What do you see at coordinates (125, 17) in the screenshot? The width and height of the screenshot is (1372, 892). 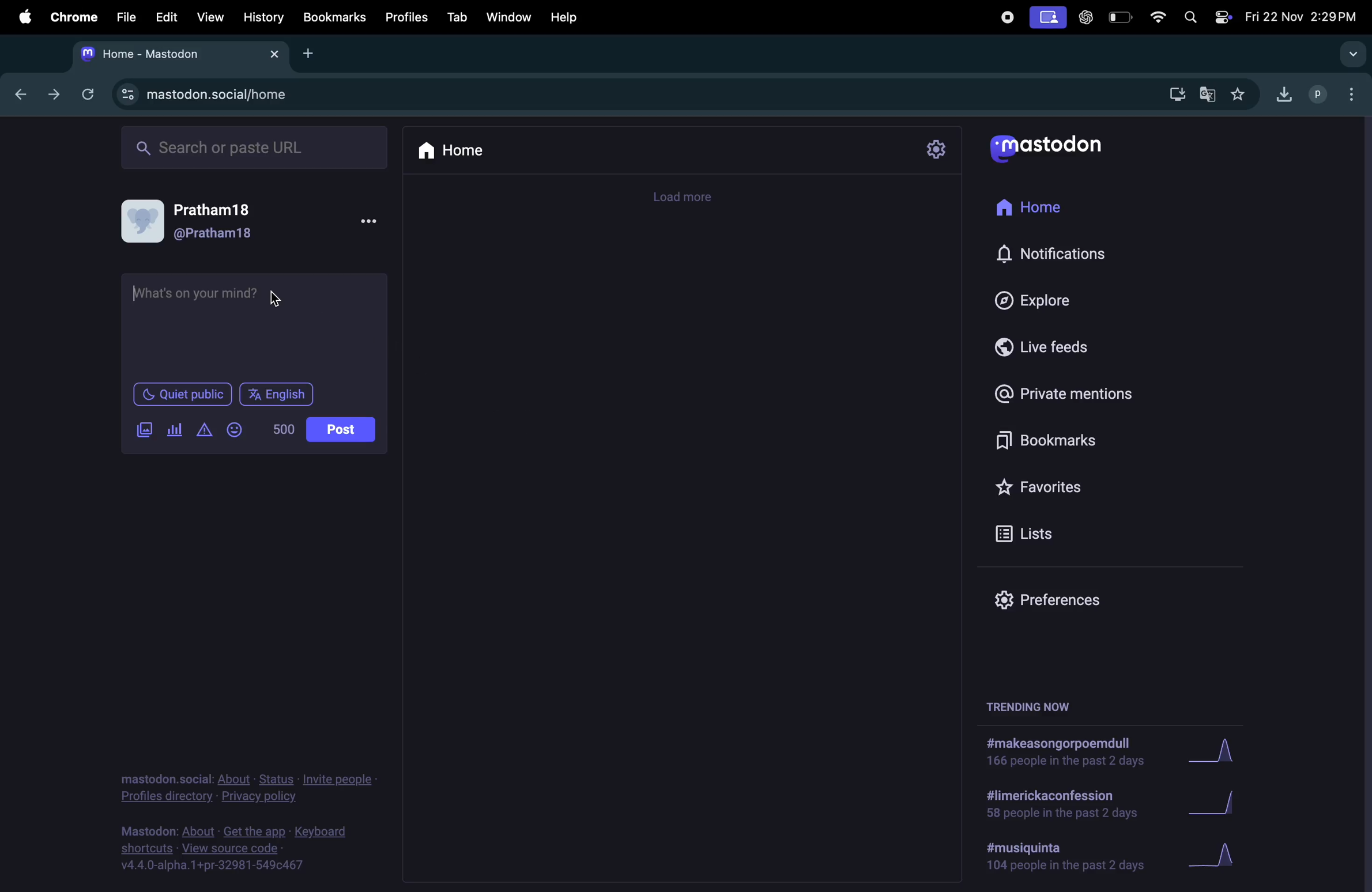 I see `file` at bounding box center [125, 17].